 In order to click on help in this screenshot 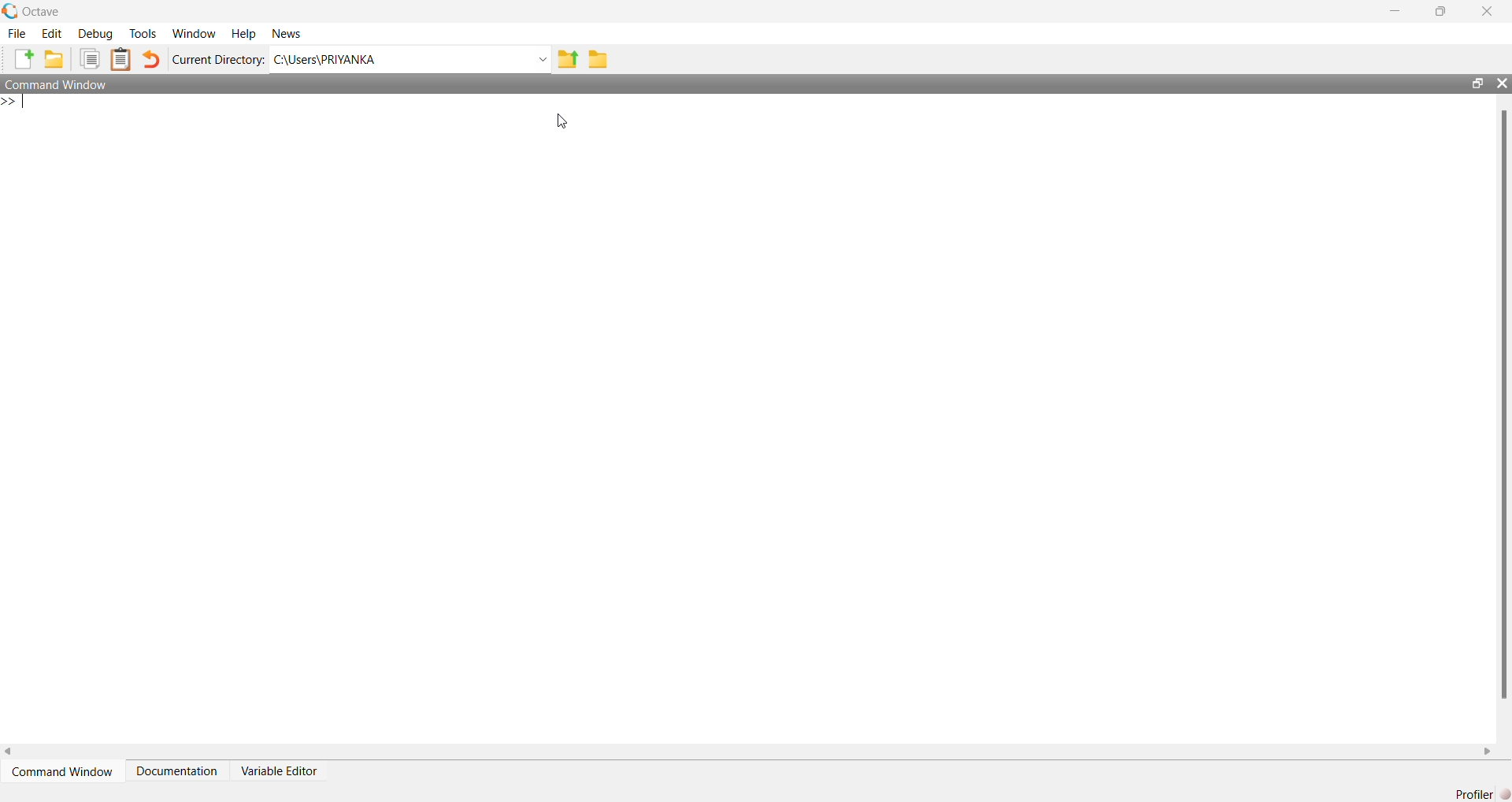, I will do `click(243, 33)`.